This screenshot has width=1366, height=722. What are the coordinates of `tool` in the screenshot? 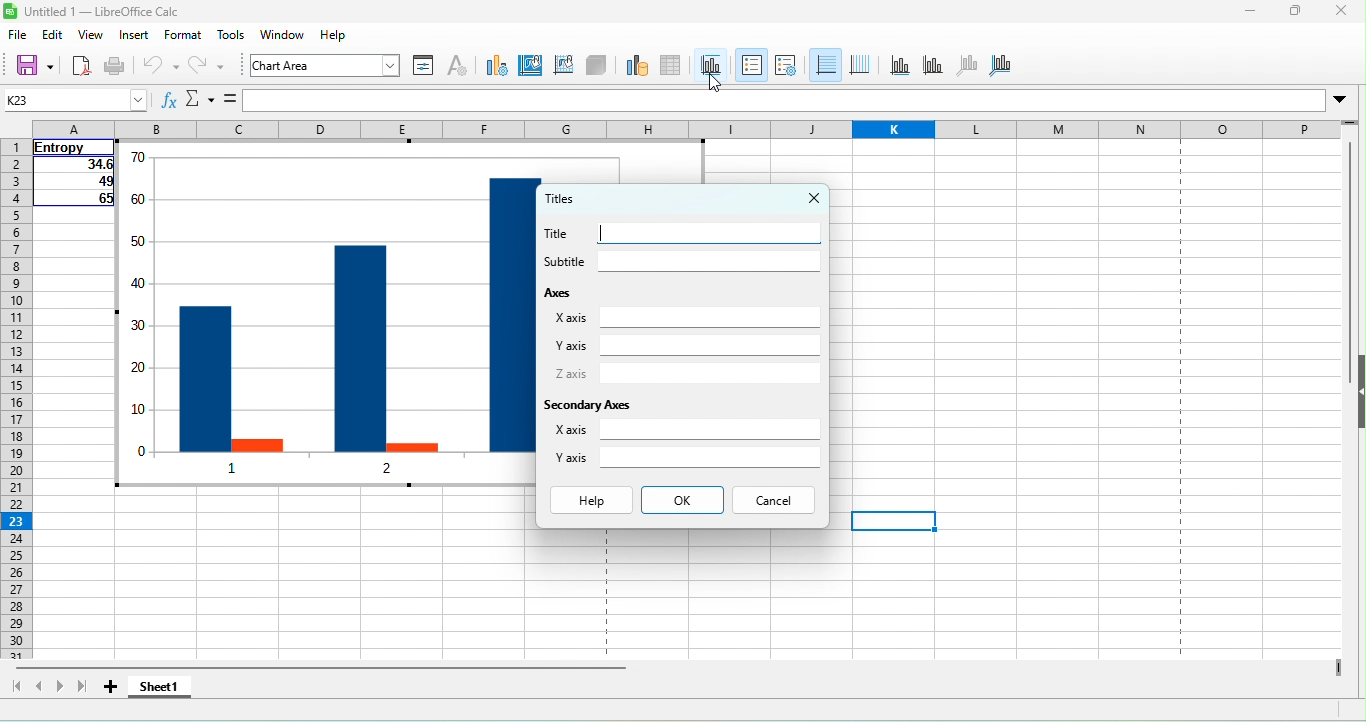 It's located at (231, 37).